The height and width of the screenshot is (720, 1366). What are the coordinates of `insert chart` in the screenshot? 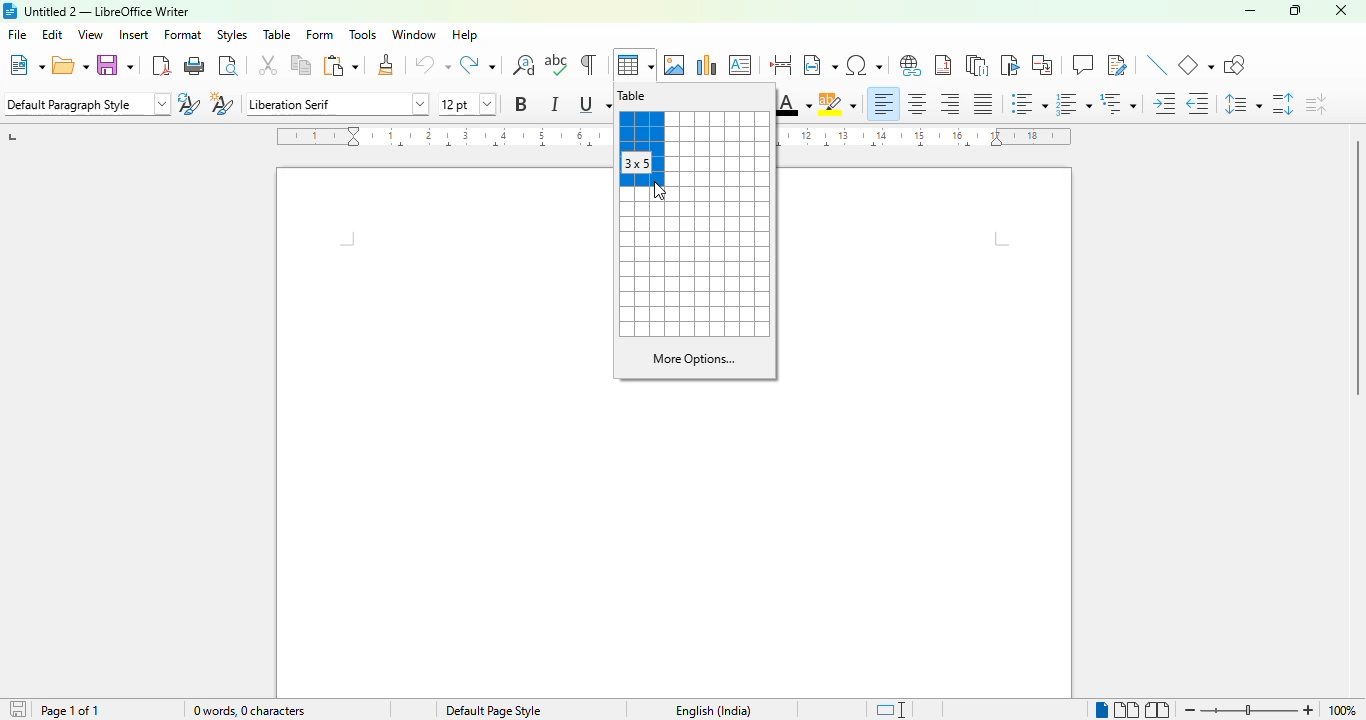 It's located at (707, 65).